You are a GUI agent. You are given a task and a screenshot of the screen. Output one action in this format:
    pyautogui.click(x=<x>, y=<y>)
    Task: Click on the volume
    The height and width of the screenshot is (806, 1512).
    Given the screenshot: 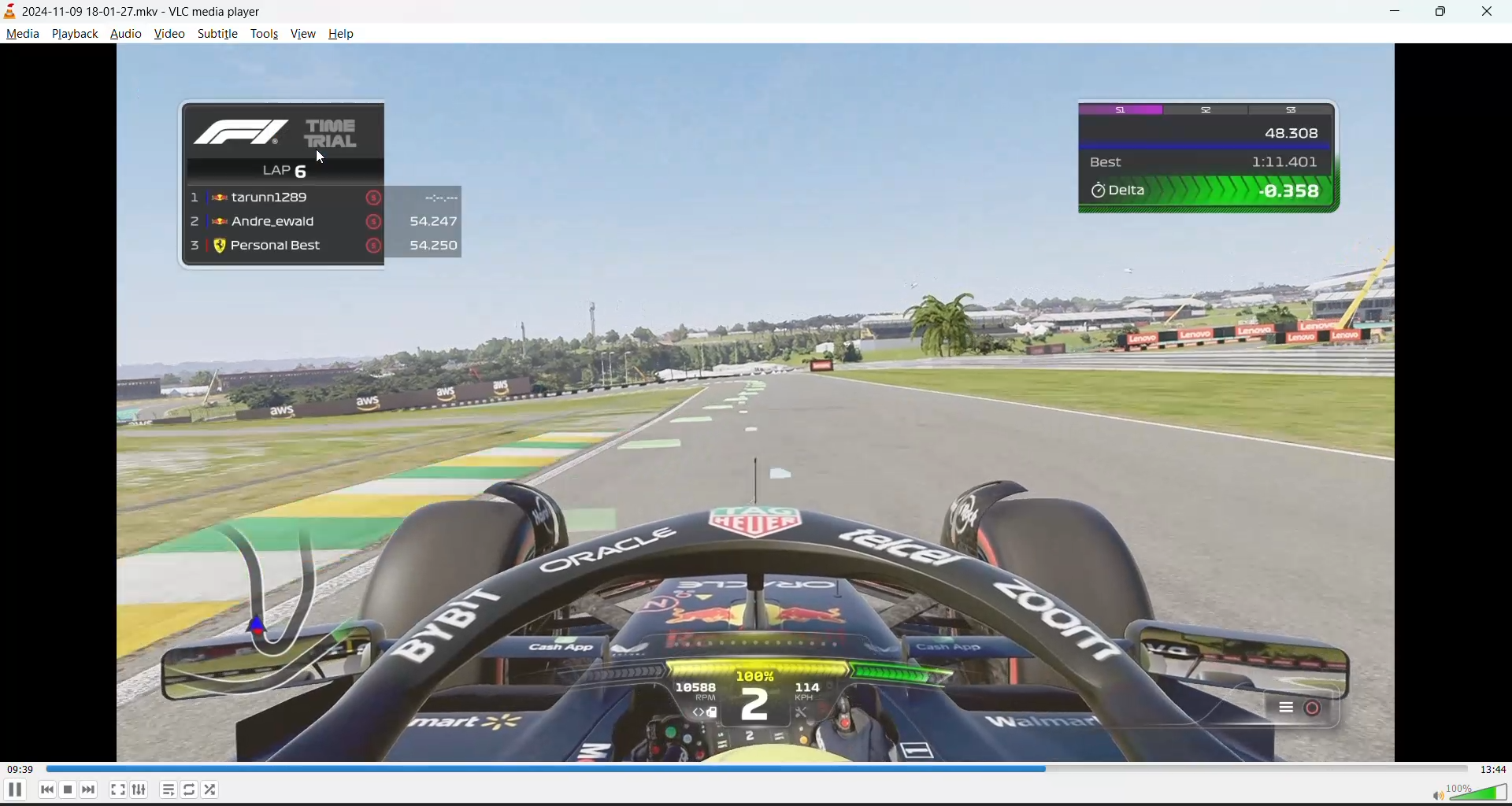 What is the action you would take?
    pyautogui.click(x=1470, y=791)
    